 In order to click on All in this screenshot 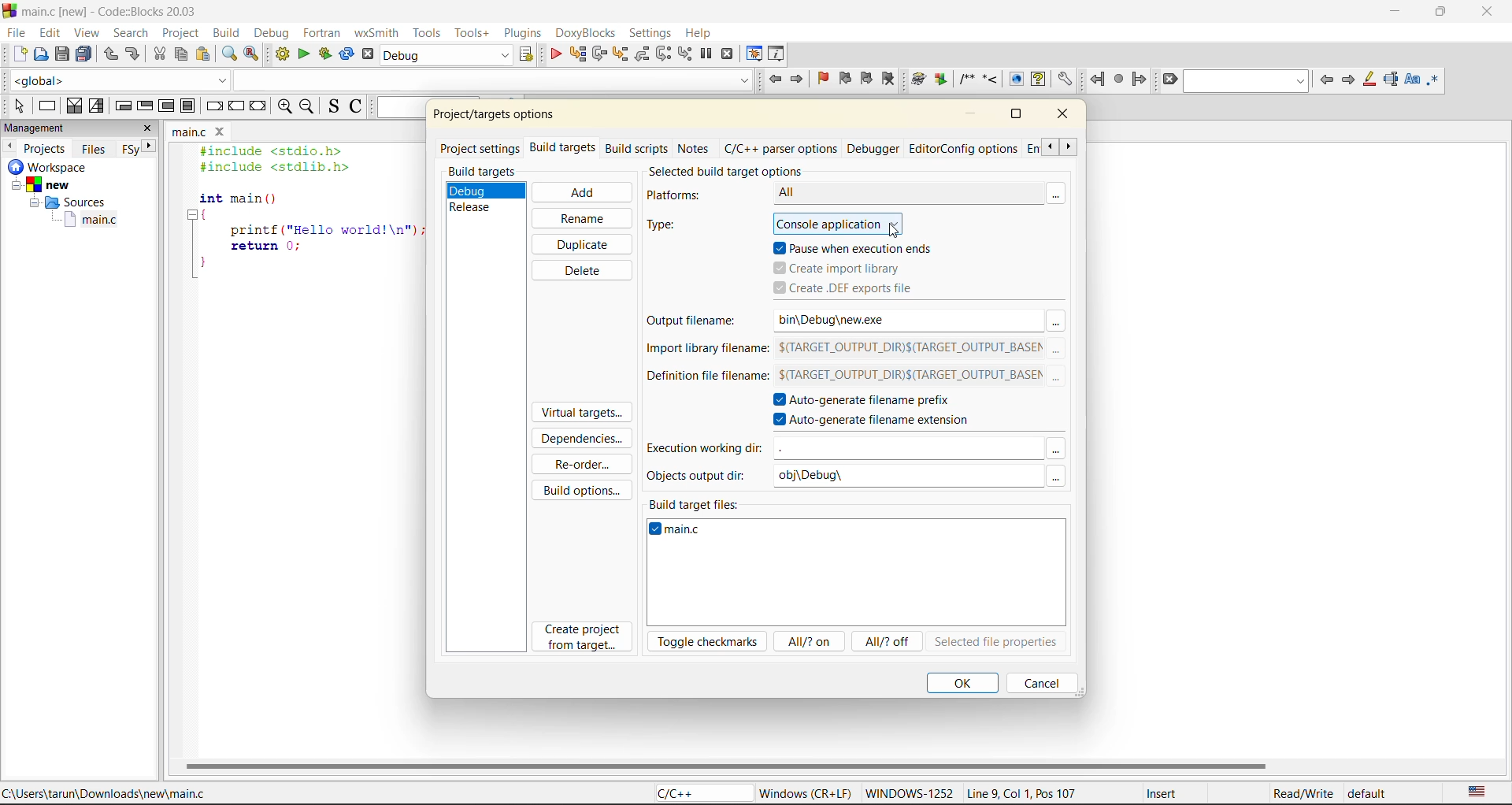, I will do `click(902, 193)`.